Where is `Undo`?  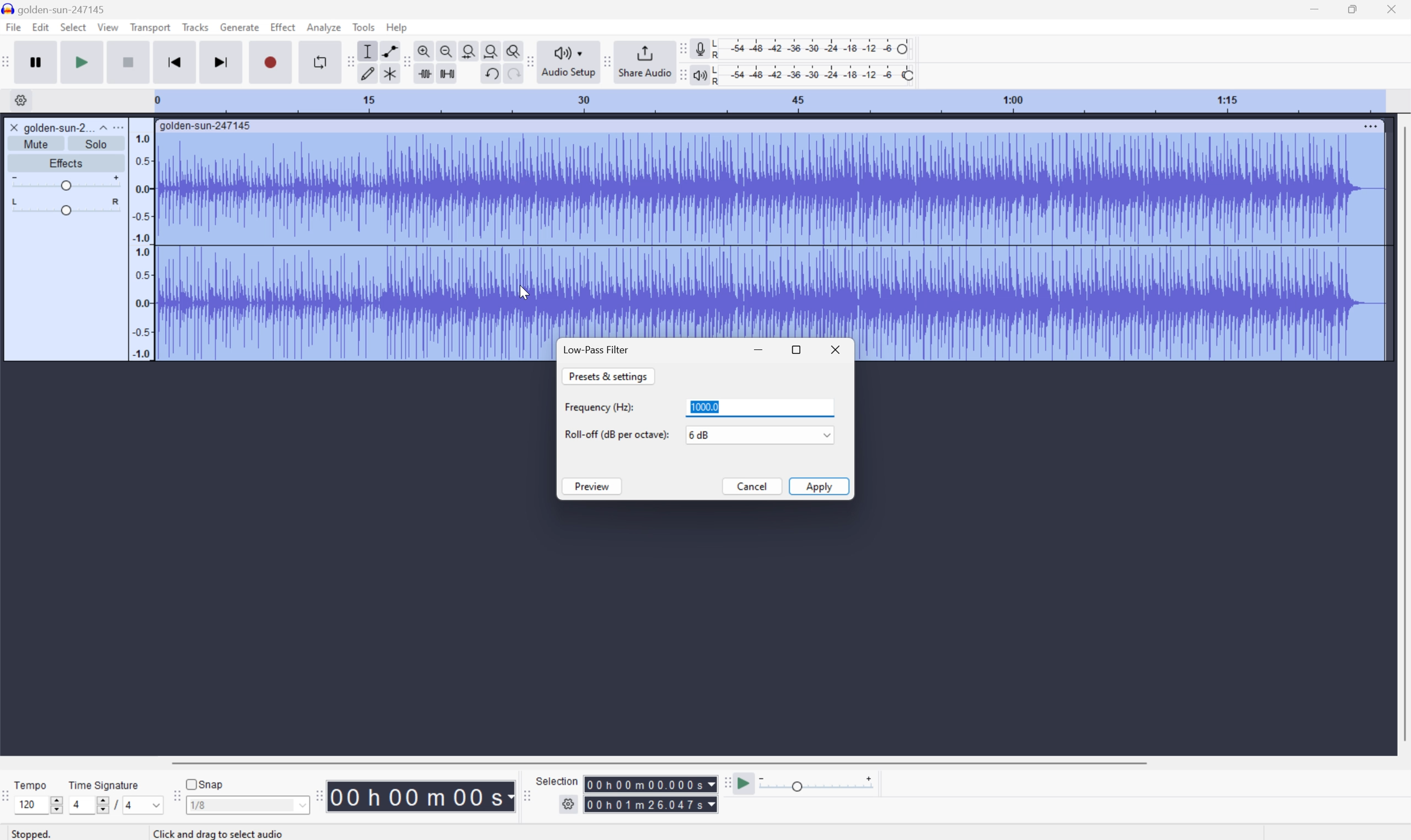
Undo is located at coordinates (491, 74).